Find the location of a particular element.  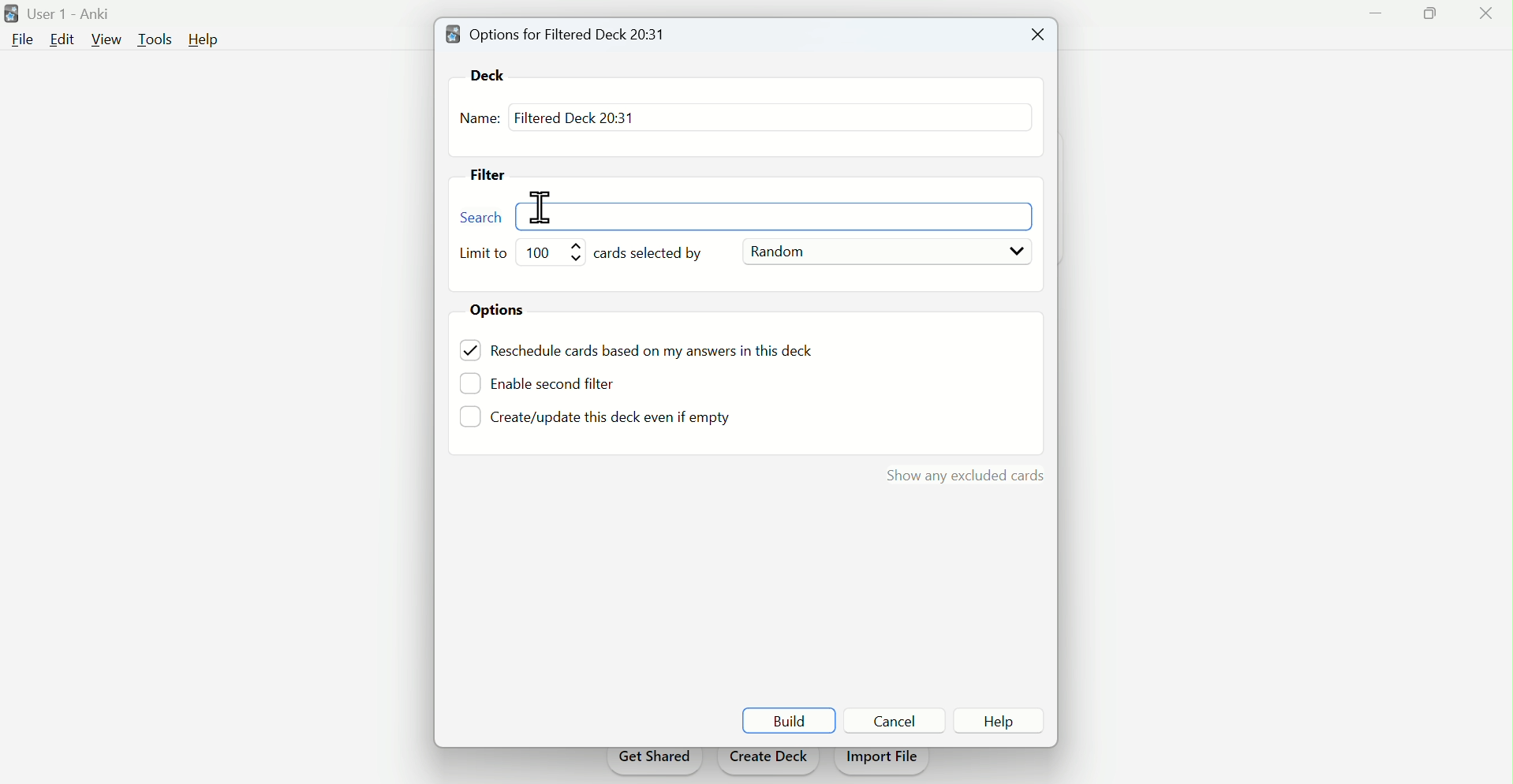

 build Build is located at coordinates (789, 721).